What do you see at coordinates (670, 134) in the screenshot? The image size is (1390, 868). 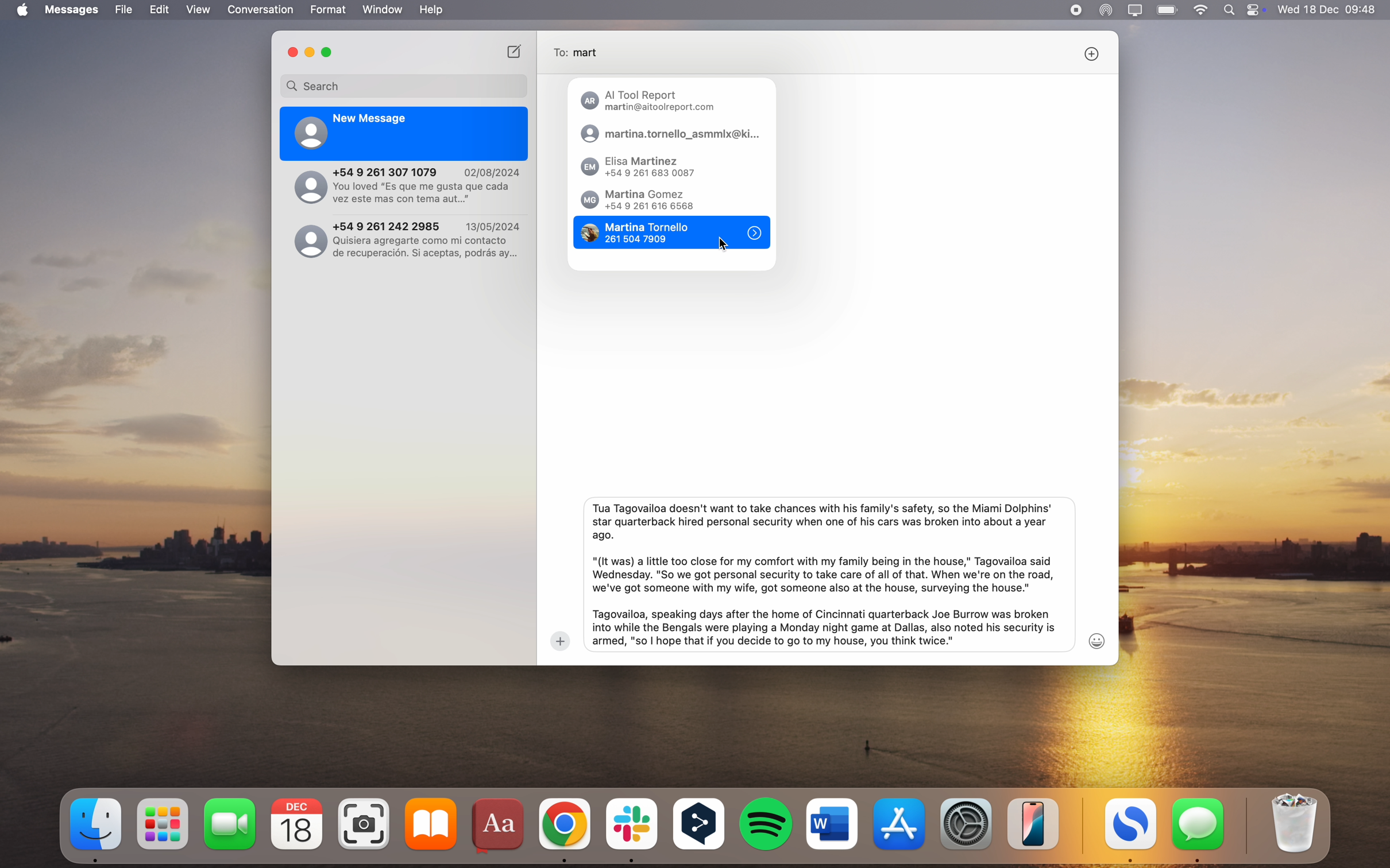 I see `martina.tornello_asmmlxki..` at bounding box center [670, 134].